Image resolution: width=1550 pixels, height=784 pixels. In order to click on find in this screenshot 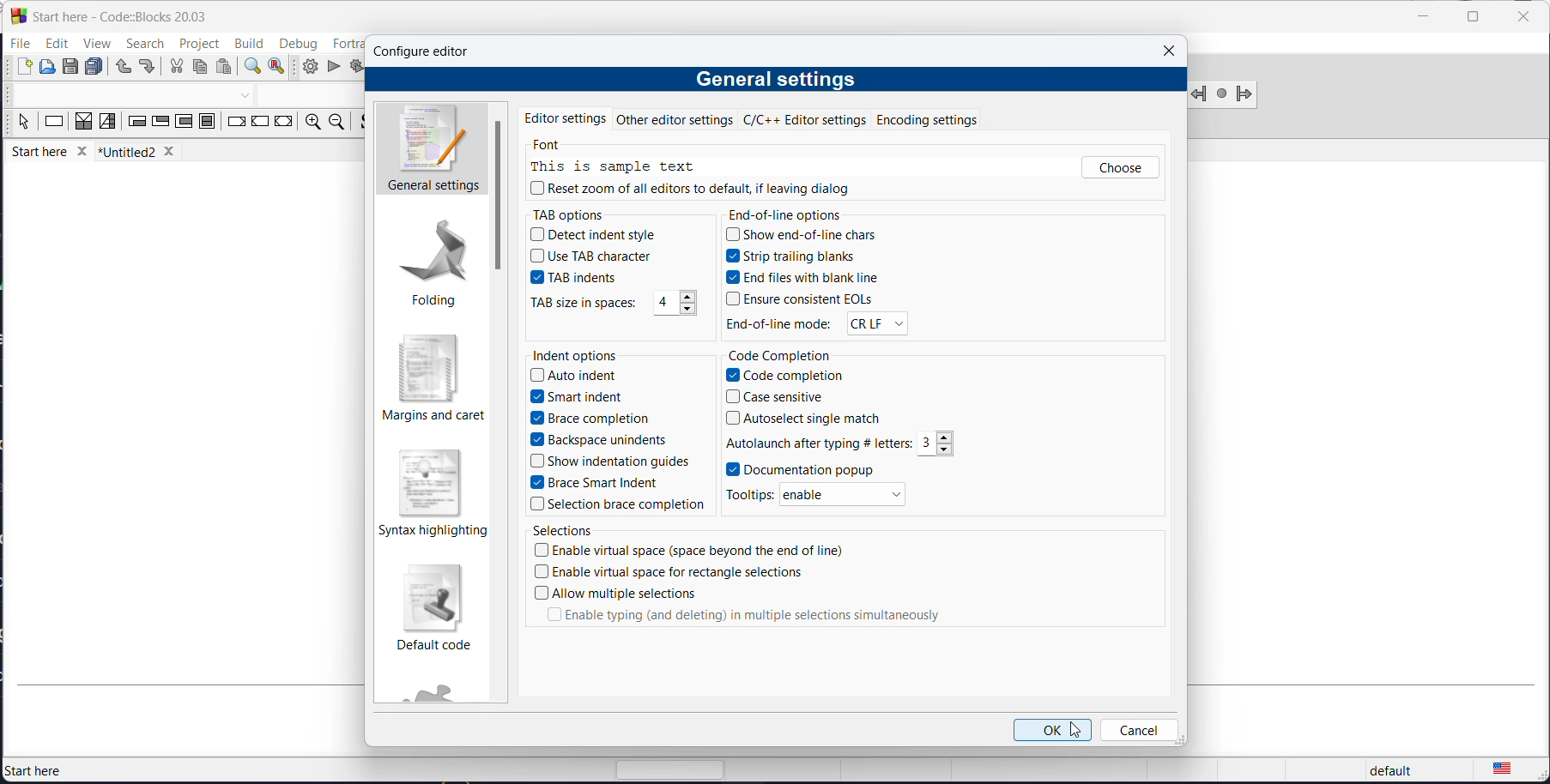, I will do `click(251, 69)`.